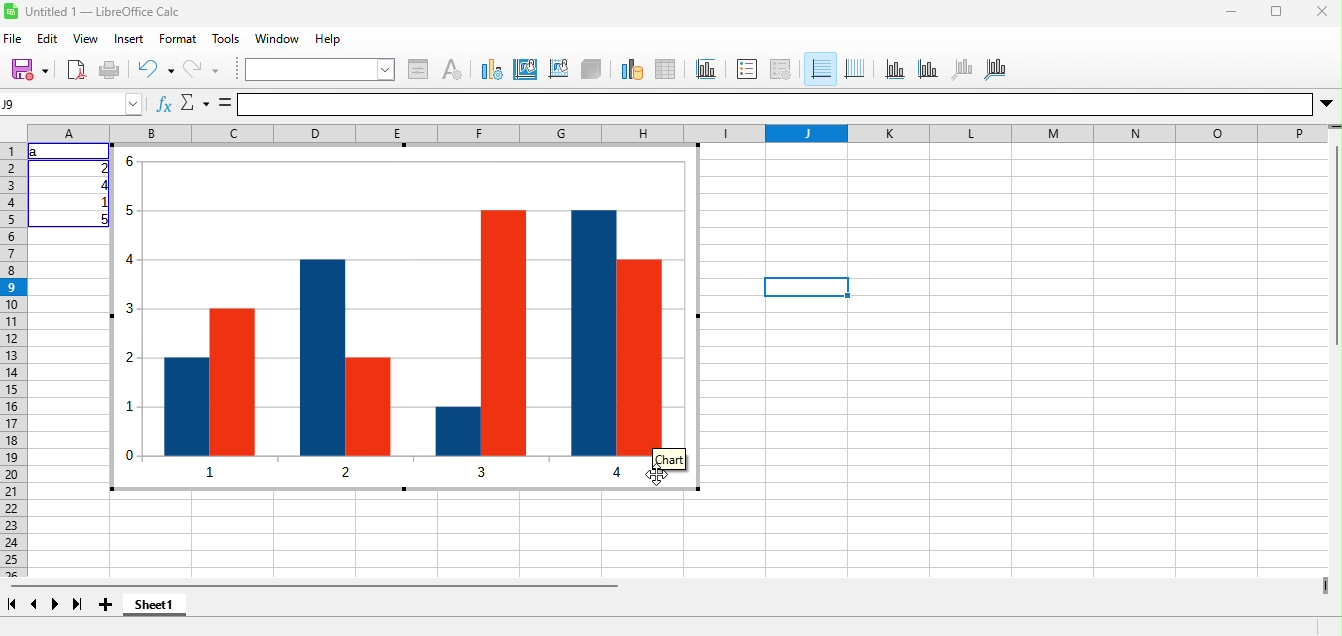 This screenshot has width=1342, height=636. Describe the element at coordinates (103, 219) in the screenshot. I see `5` at that location.